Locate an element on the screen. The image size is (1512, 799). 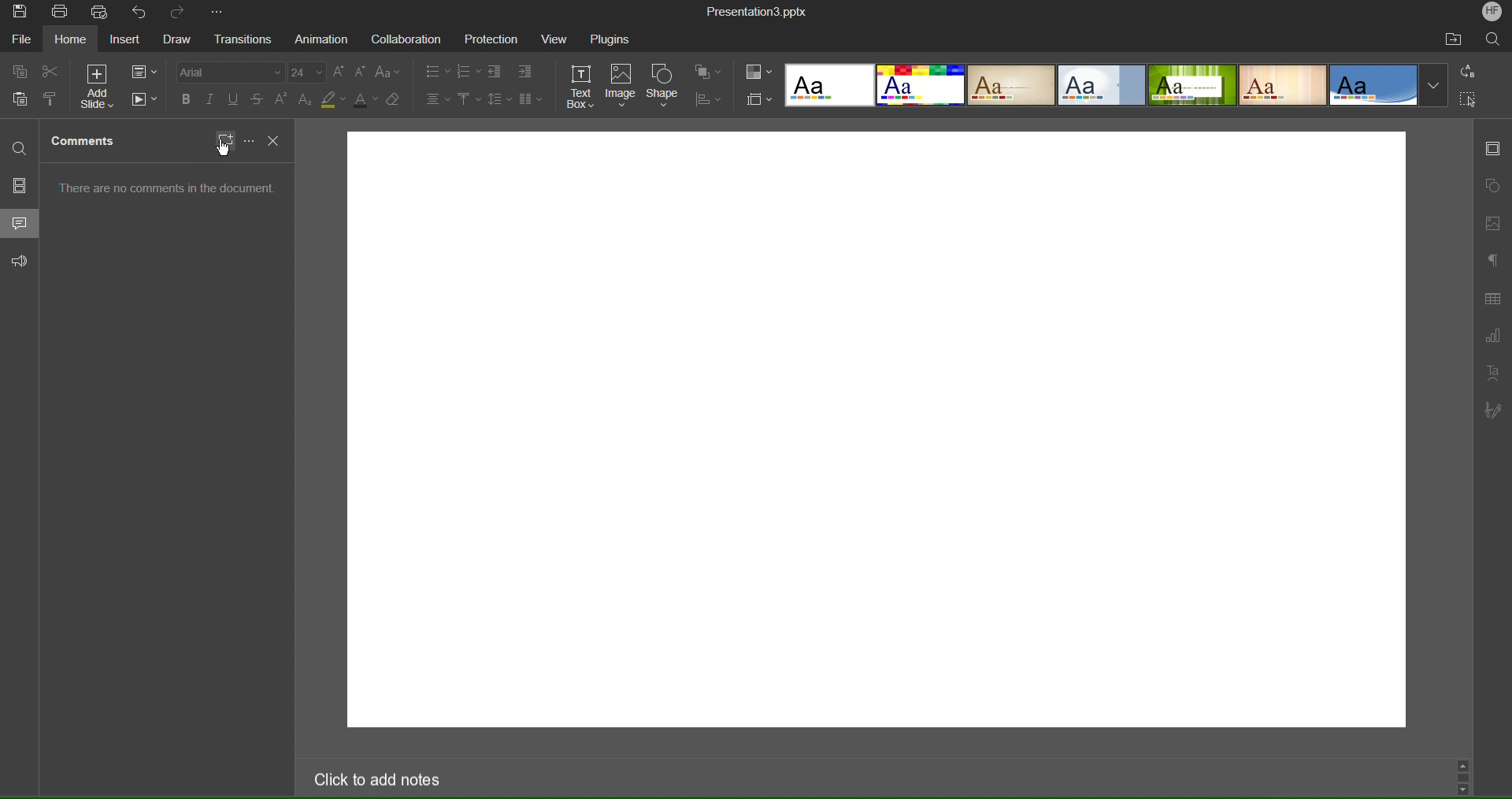
Select All  is located at coordinates (1469, 100).